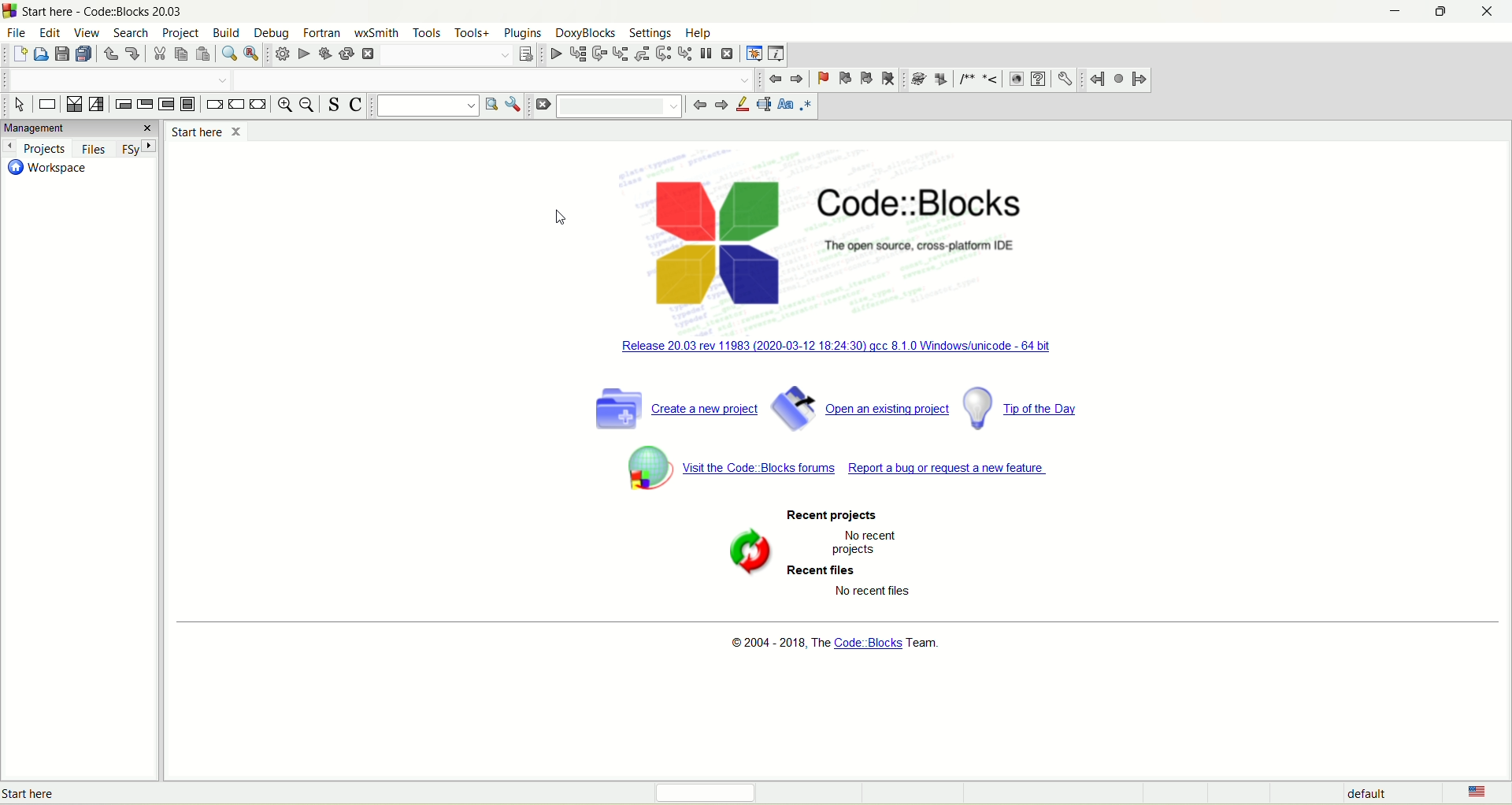 The height and width of the screenshot is (805, 1512). What do you see at coordinates (773, 79) in the screenshot?
I see `jump back` at bounding box center [773, 79].